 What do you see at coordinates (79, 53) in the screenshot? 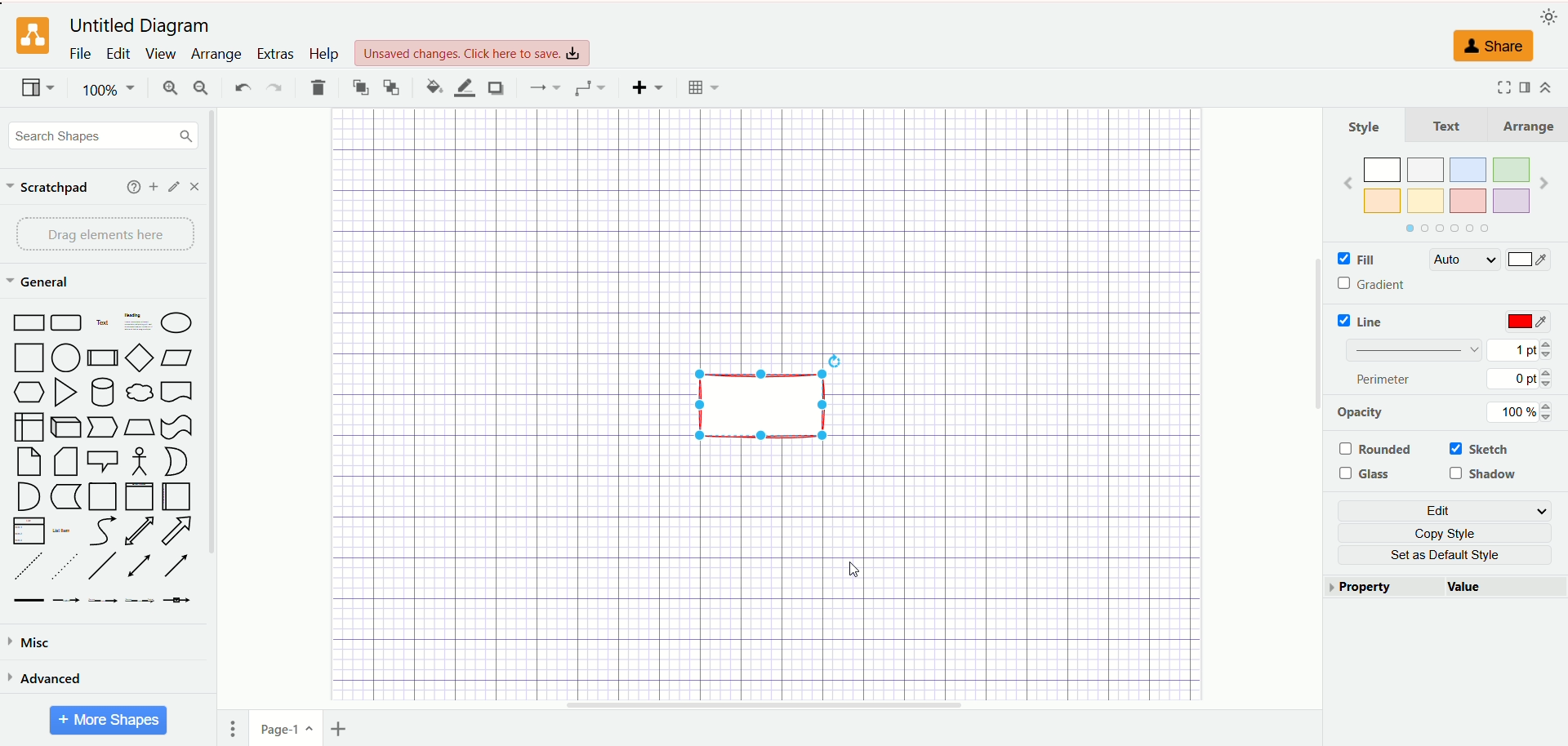
I see `file` at bounding box center [79, 53].